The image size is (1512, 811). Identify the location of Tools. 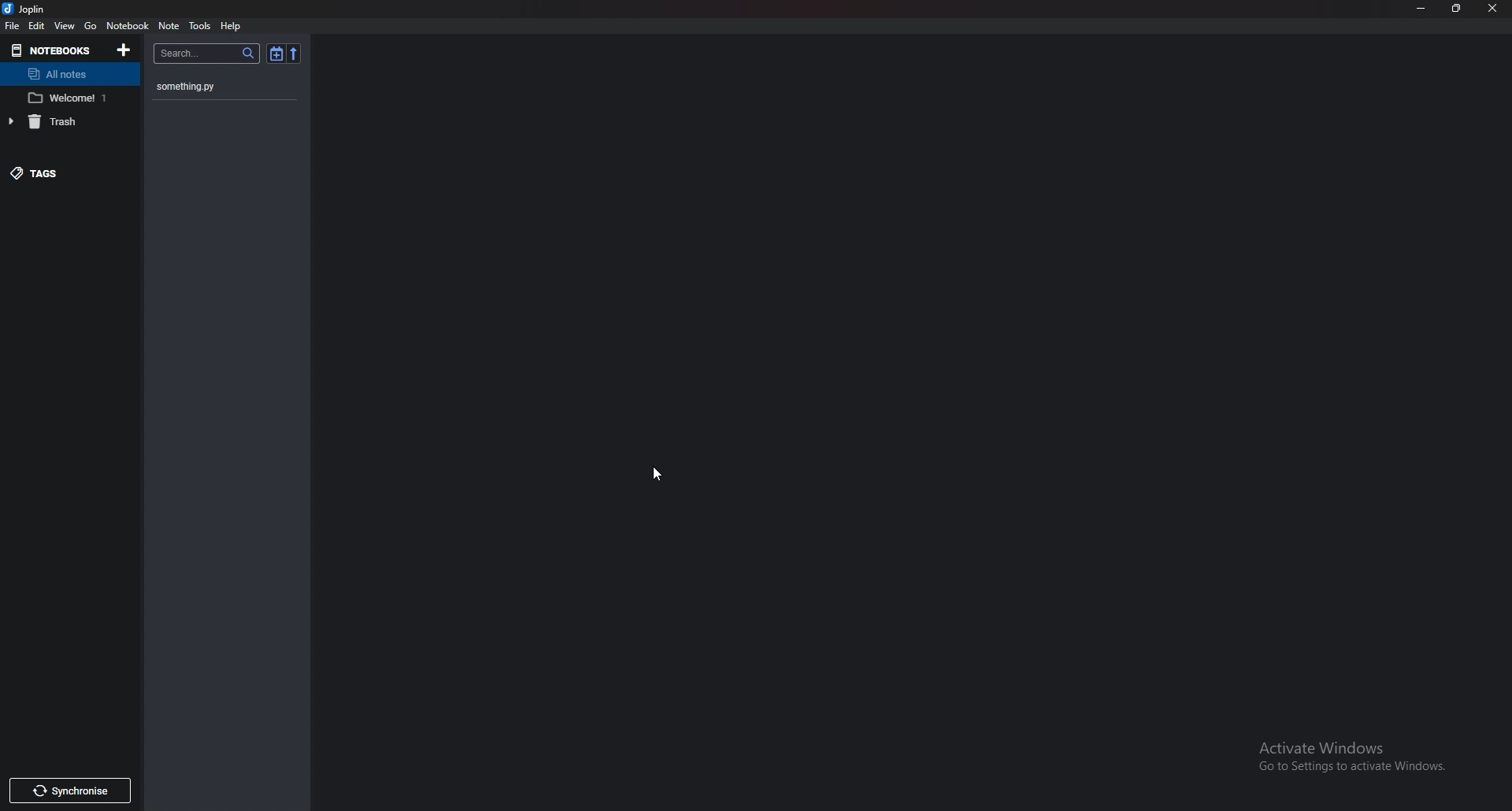
(200, 26).